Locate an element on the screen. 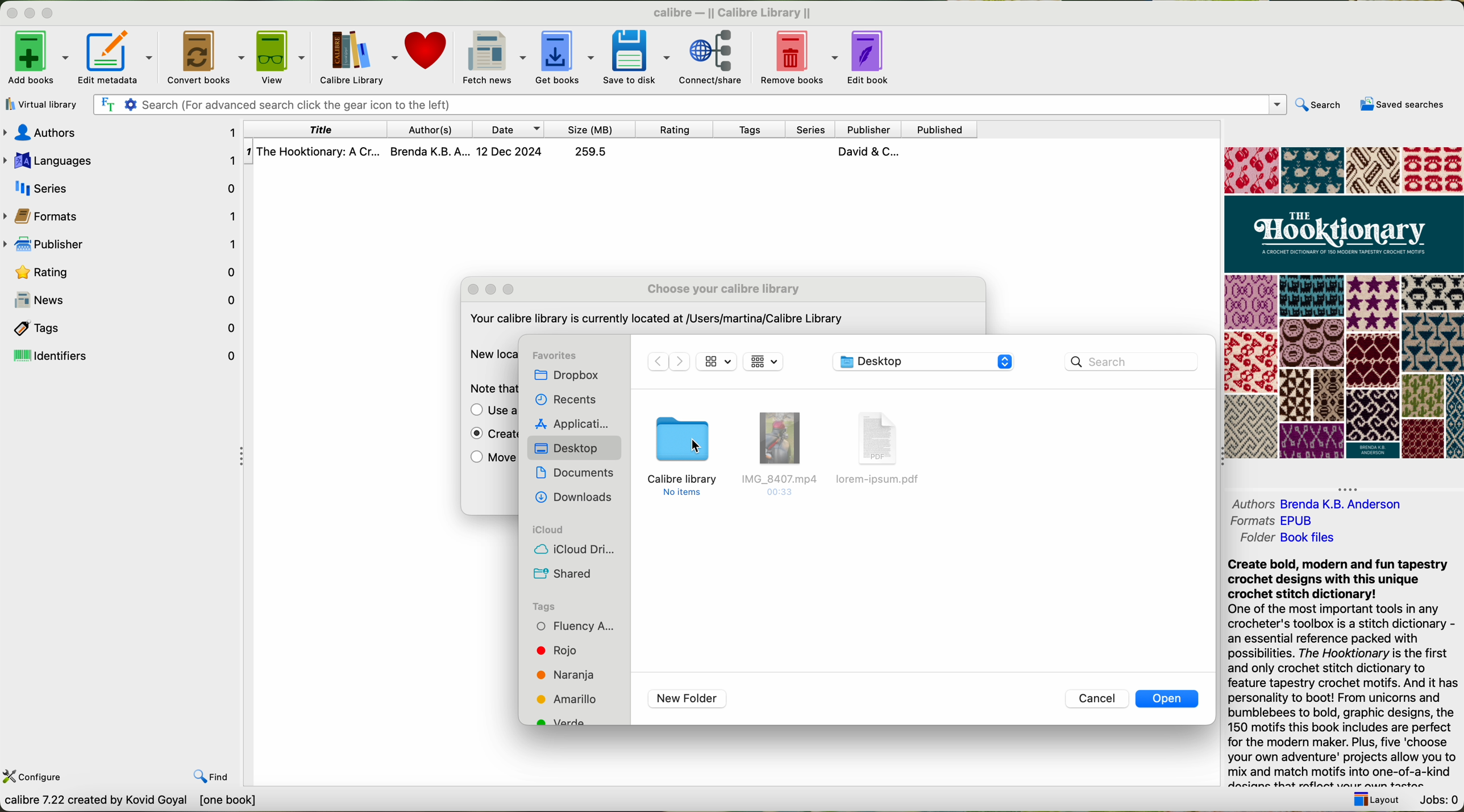 The height and width of the screenshot is (812, 1464). series is located at coordinates (122, 186).